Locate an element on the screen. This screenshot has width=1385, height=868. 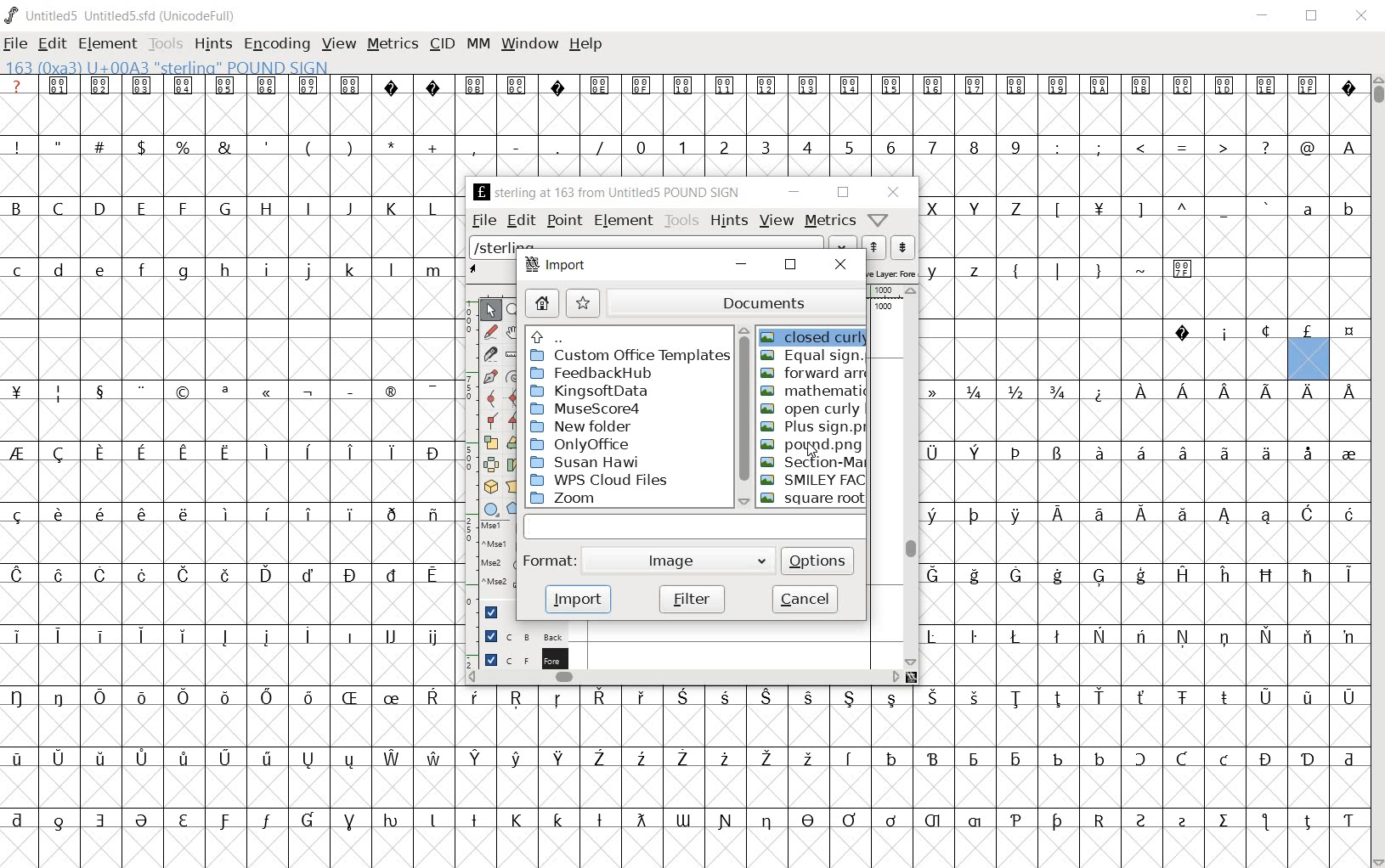
Symbol is located at coordinates (1309, 87).